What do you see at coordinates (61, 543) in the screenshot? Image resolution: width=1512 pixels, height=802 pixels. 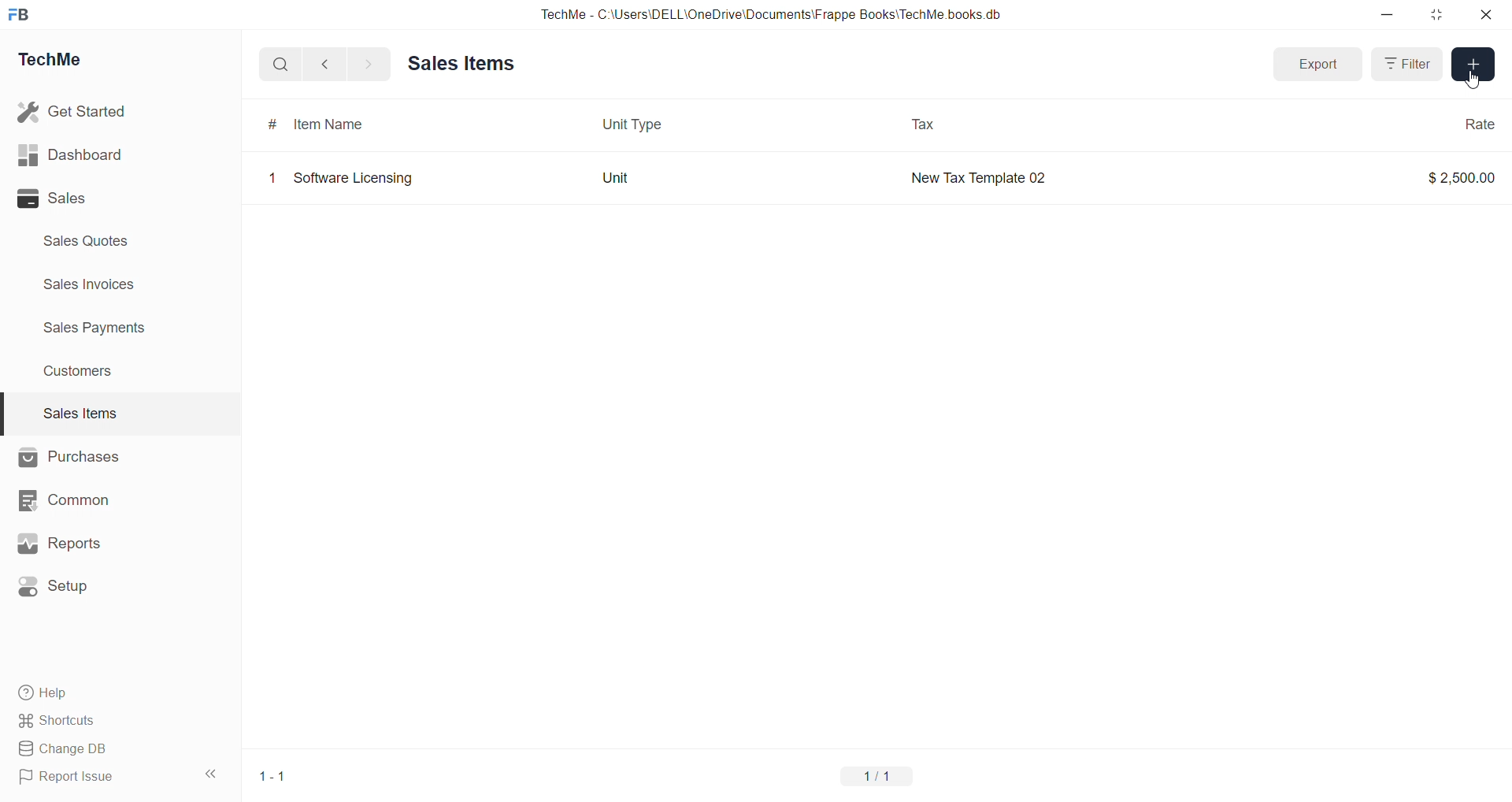 I see `Reports` at bounding box center [61, 543].